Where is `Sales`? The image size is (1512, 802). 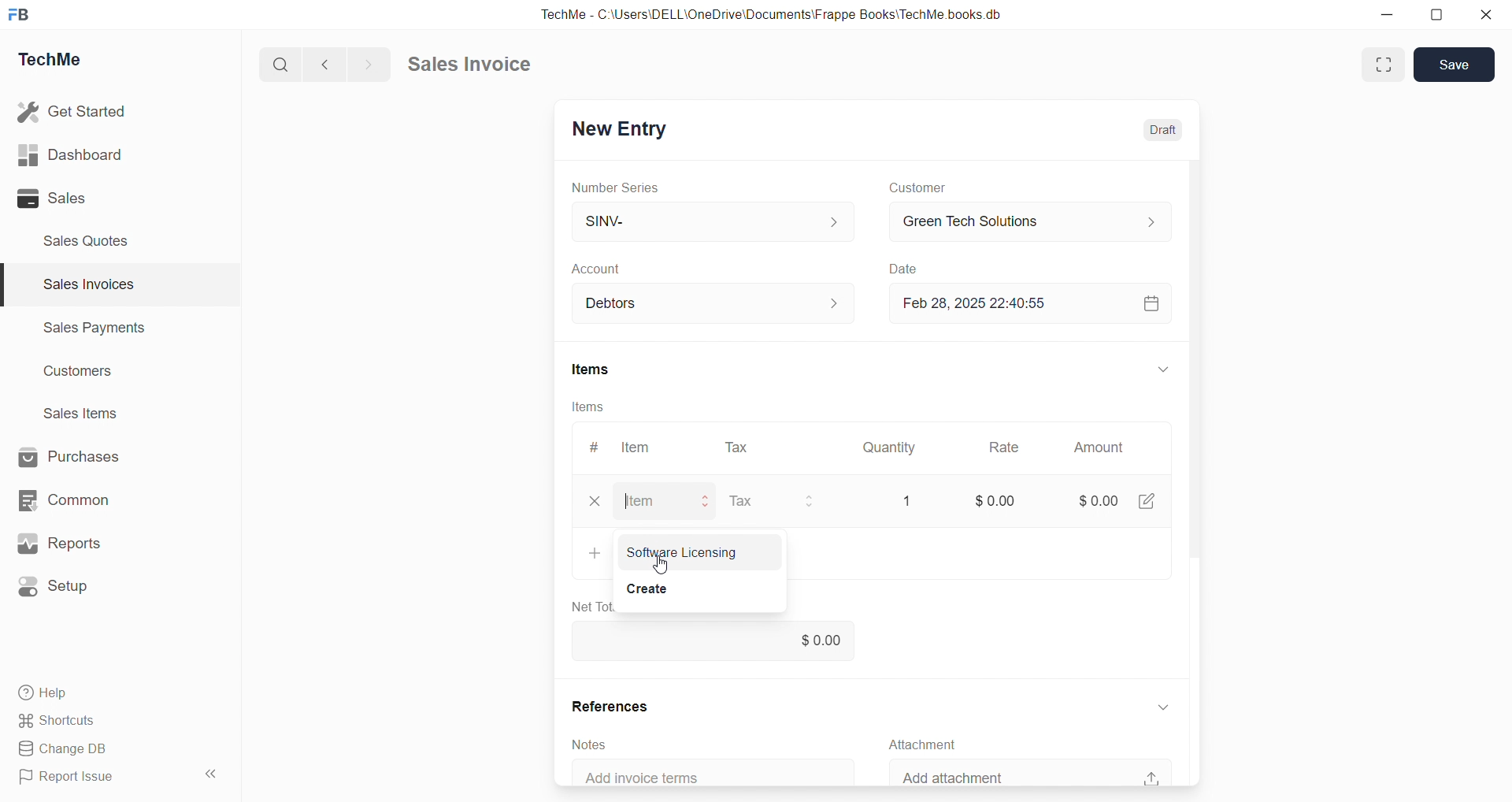
Sales is located at coordinates (52, 198).